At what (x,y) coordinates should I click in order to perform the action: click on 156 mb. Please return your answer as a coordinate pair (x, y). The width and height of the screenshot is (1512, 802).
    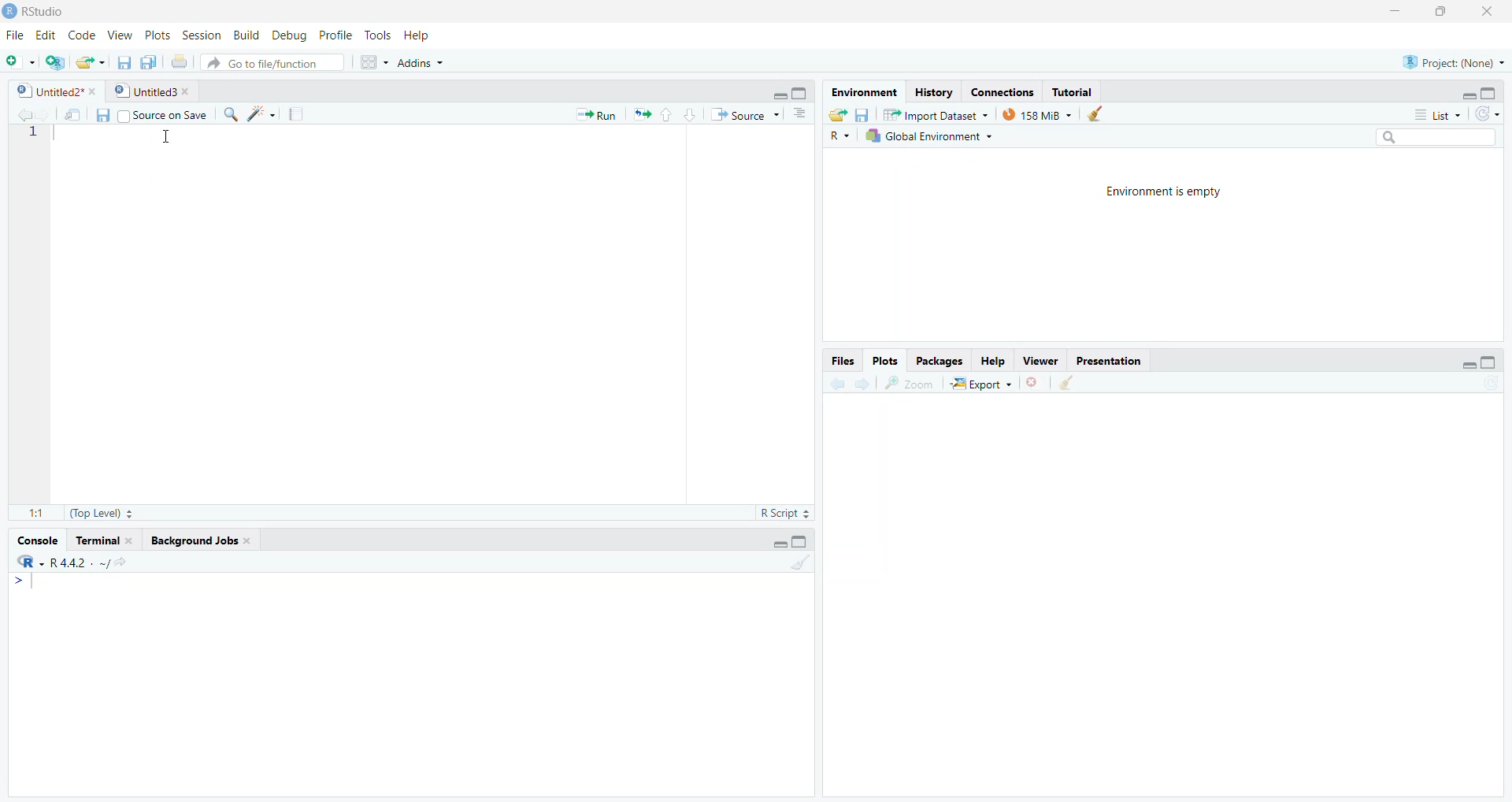
    Looking at the image, I should click on (1038, 114).